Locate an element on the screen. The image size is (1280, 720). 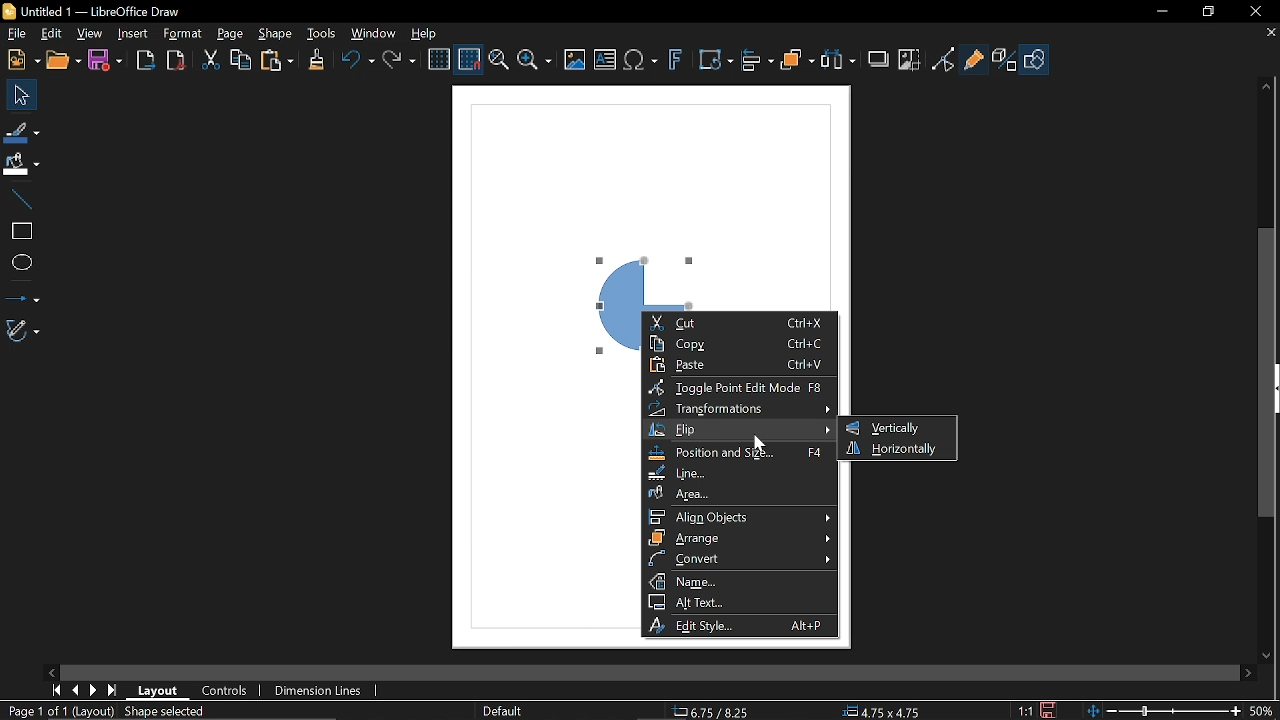
1:1 (Scaling factor) is located at coordinates (1026, 710).